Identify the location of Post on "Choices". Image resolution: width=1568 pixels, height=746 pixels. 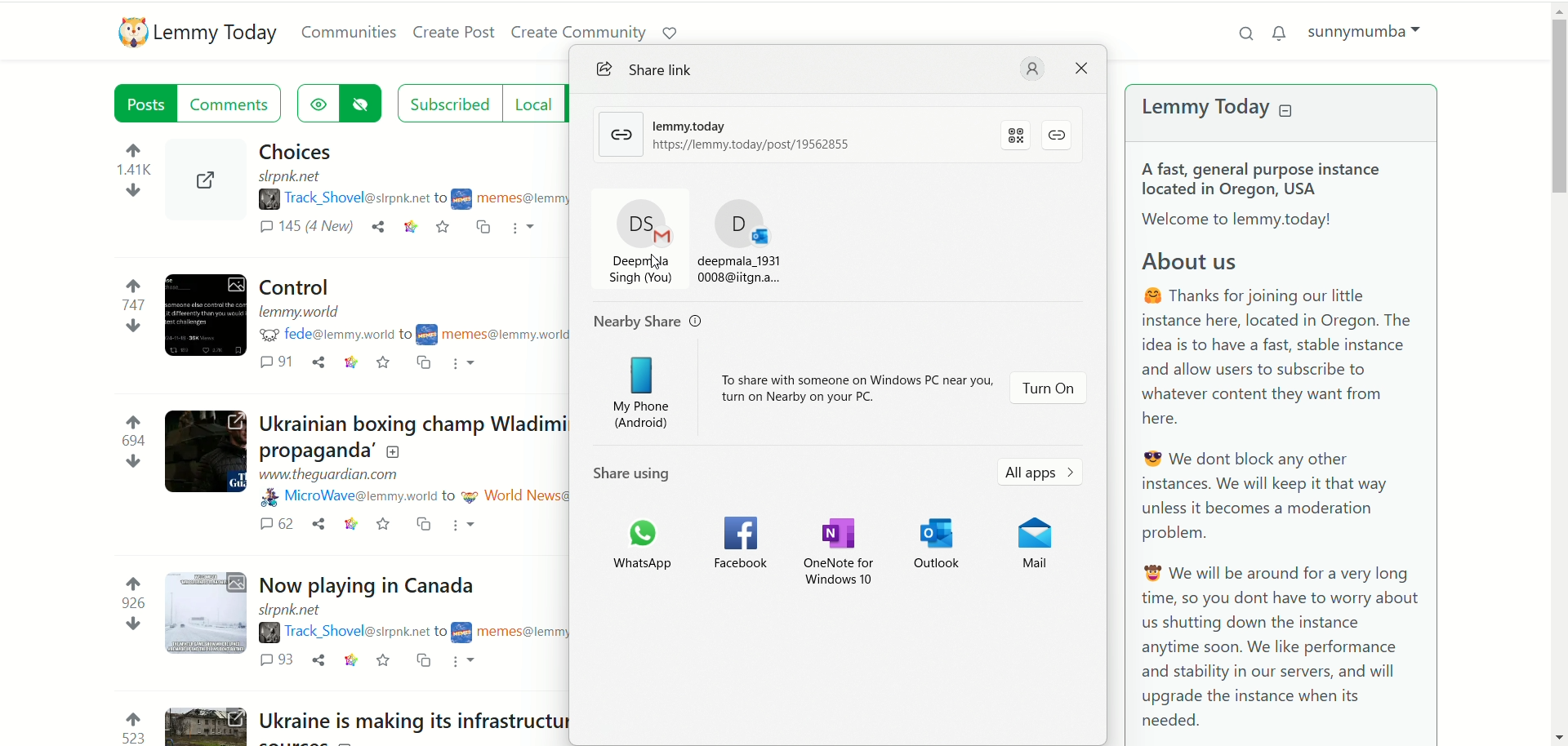
(296, 150).